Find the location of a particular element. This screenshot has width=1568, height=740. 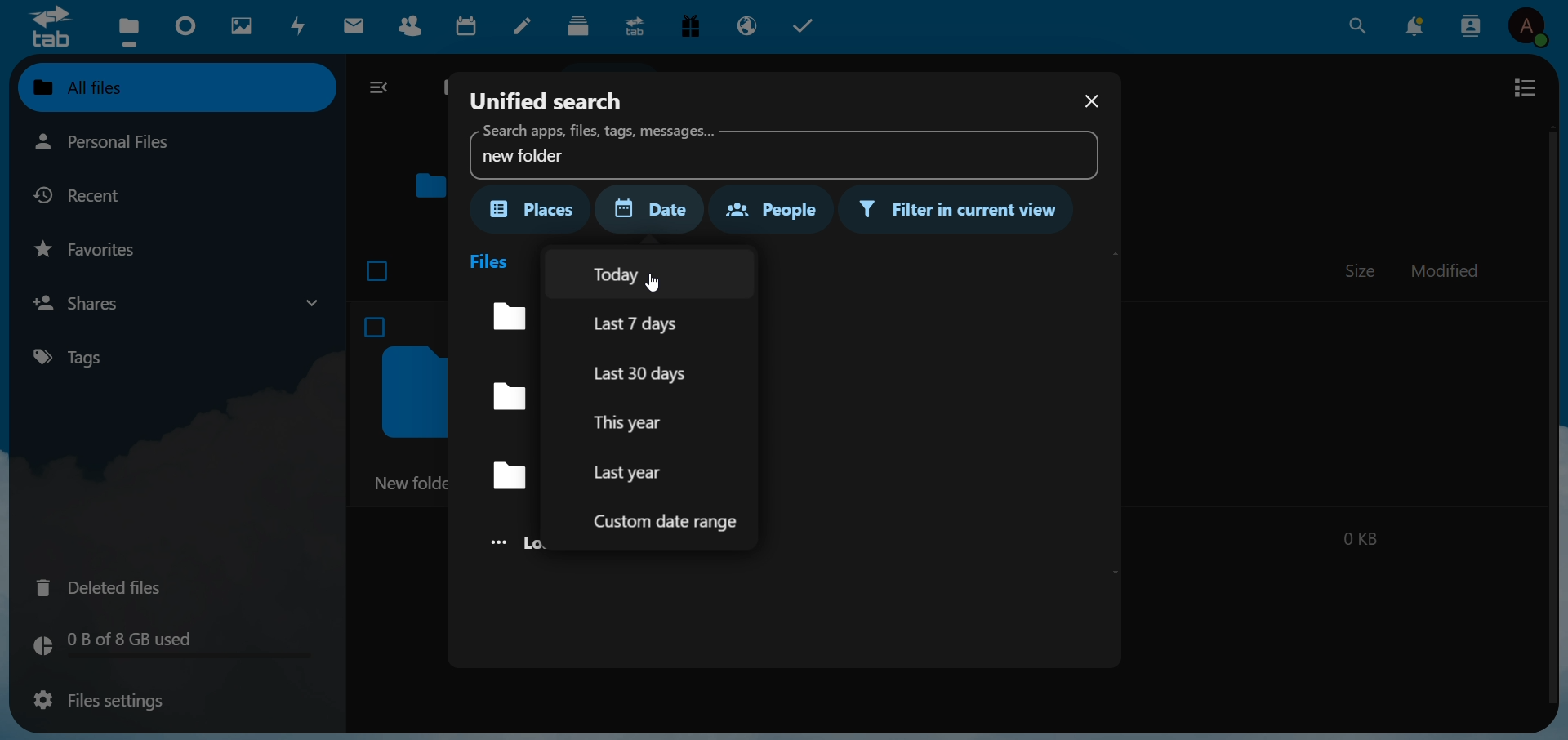

email hosting is located at coordinates (749, 25).